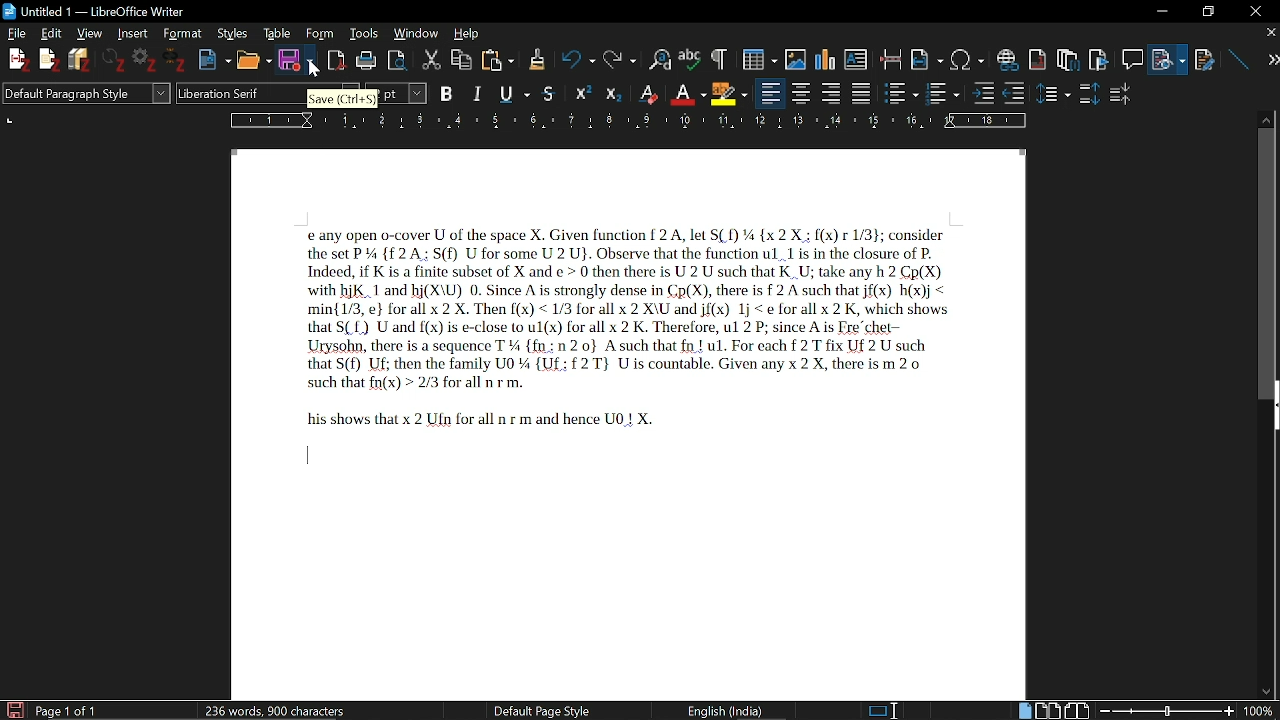 This screenshot has height=720, width=1280. Describe the element at coordinates (214, 58) in the screenshot. I see `New` at that location.